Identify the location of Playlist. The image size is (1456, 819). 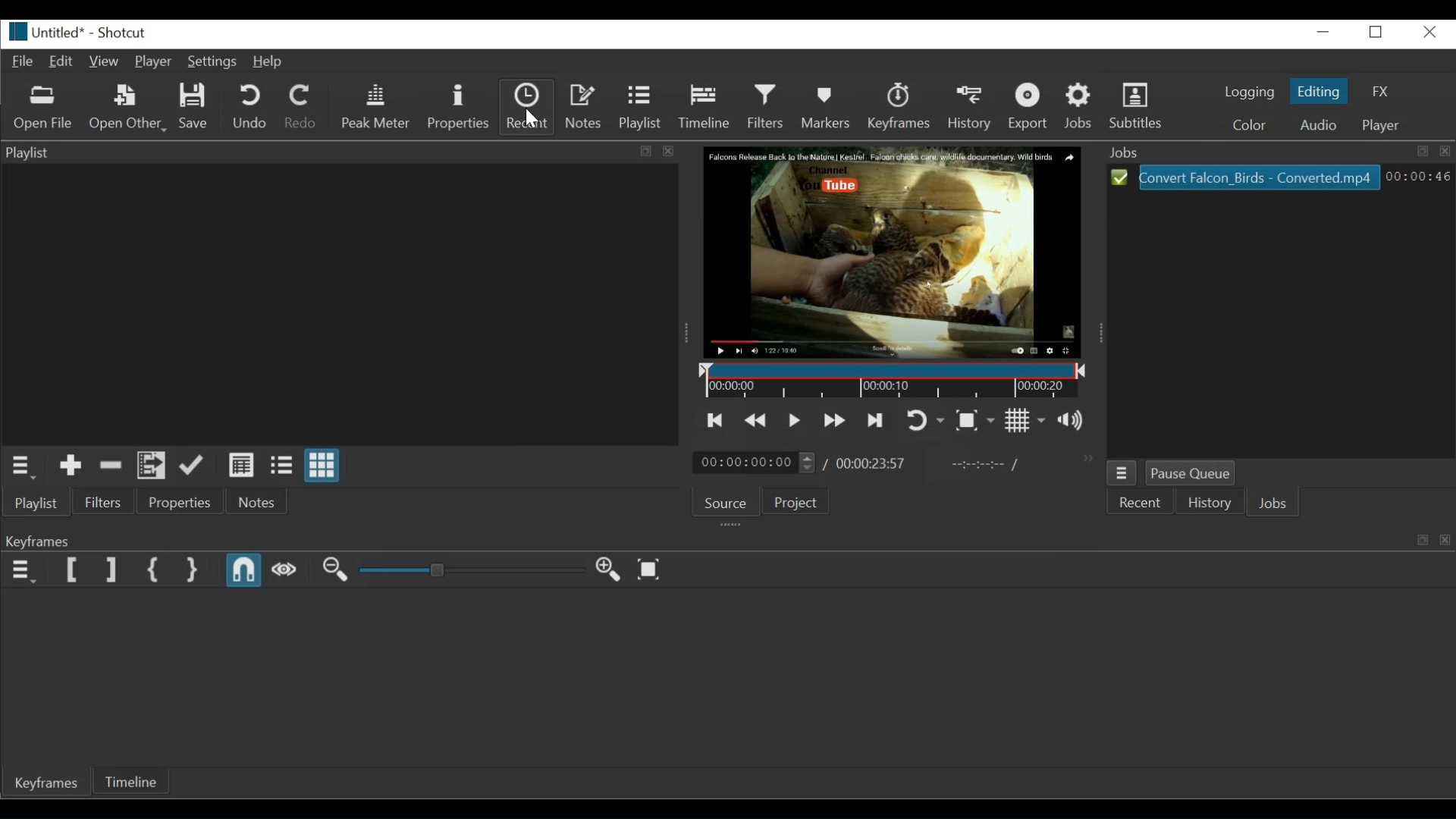
(643, 108).